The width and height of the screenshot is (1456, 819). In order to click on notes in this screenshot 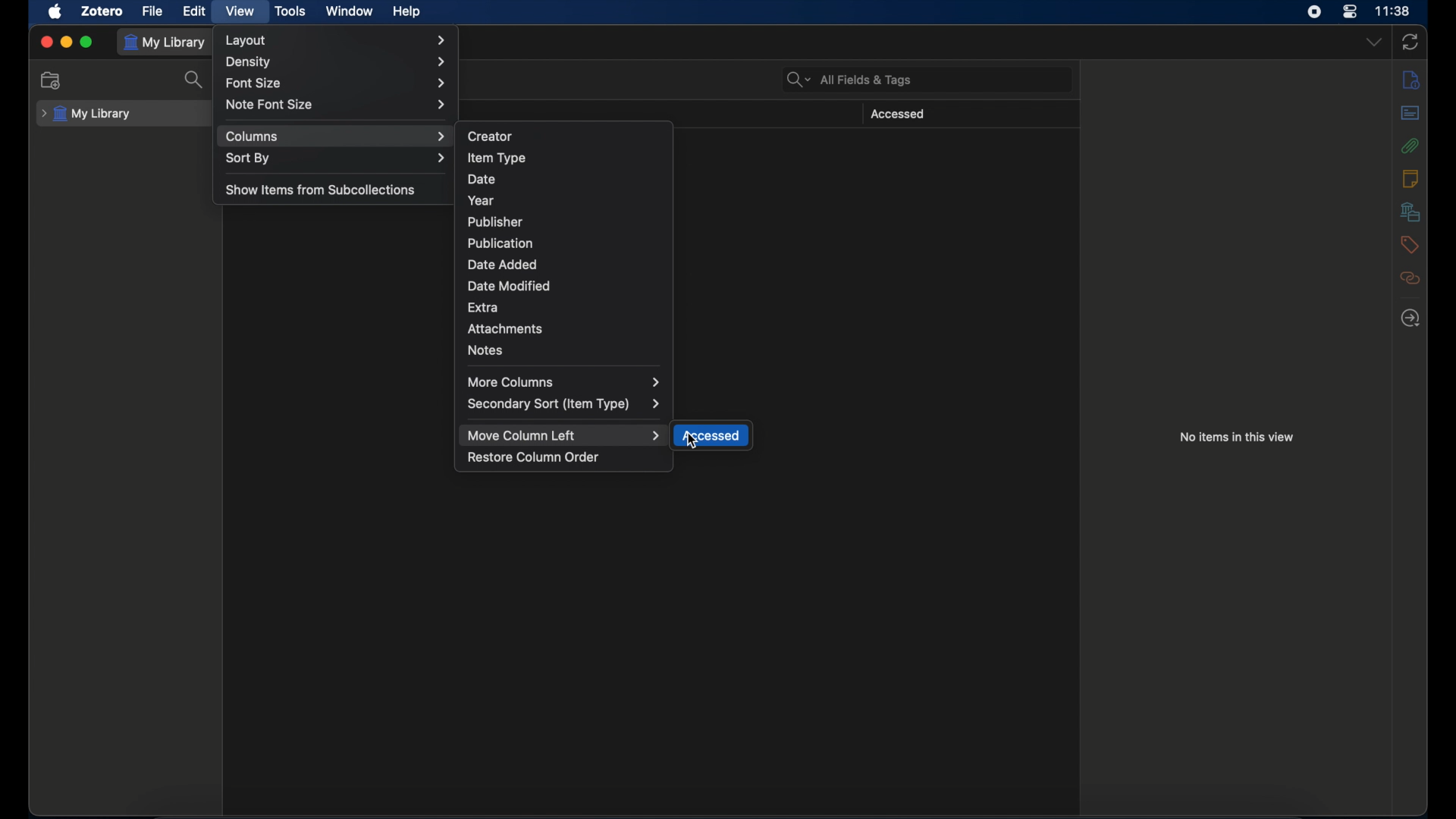, I will do `click(485, 350)`.